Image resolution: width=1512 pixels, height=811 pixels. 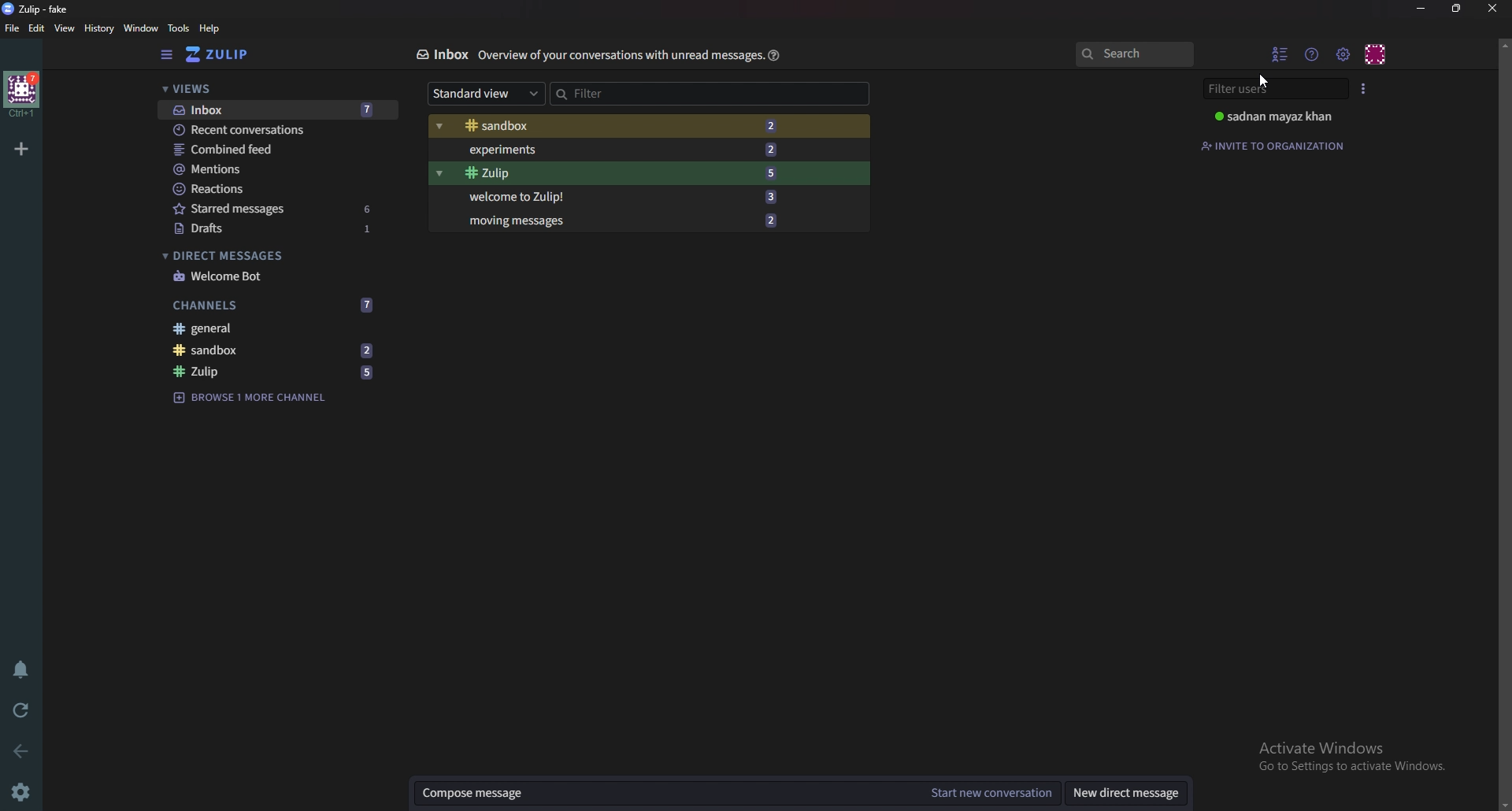 I want to click on Filter users, so click(x=1278, y=89).